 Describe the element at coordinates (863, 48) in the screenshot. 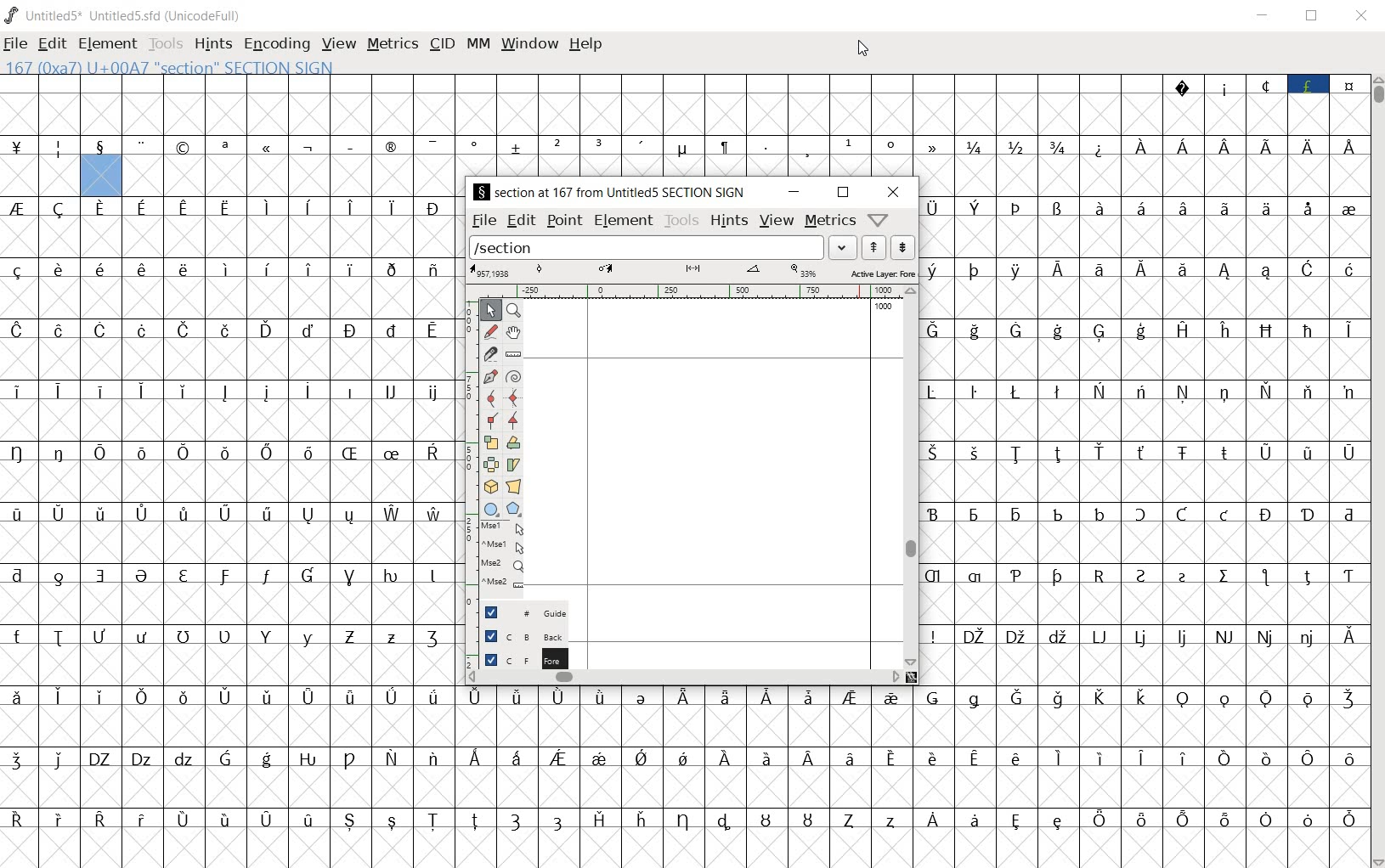

I see `CURSOR` at that location.